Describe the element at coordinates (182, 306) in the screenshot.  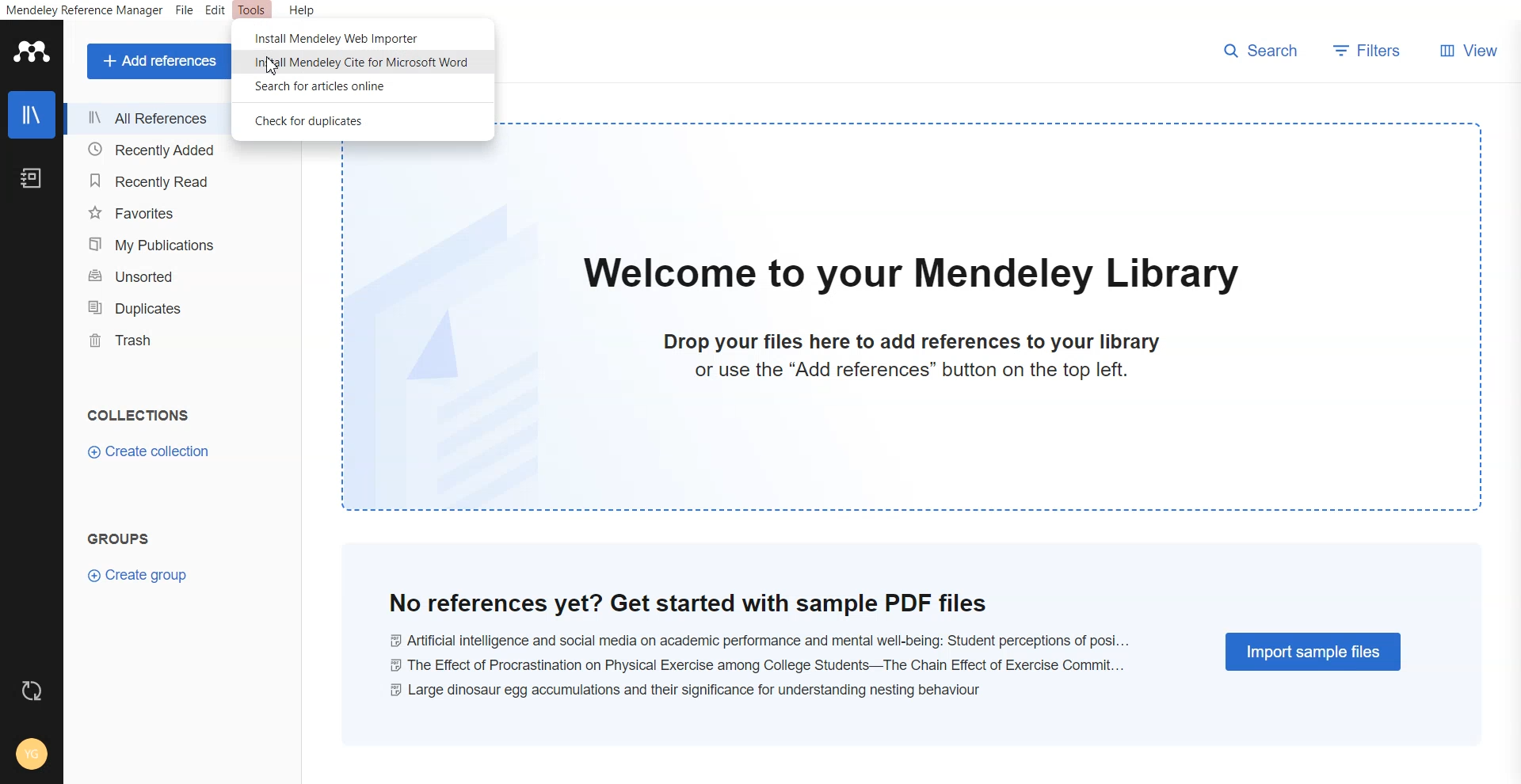
I see `Duplicates` at that location.